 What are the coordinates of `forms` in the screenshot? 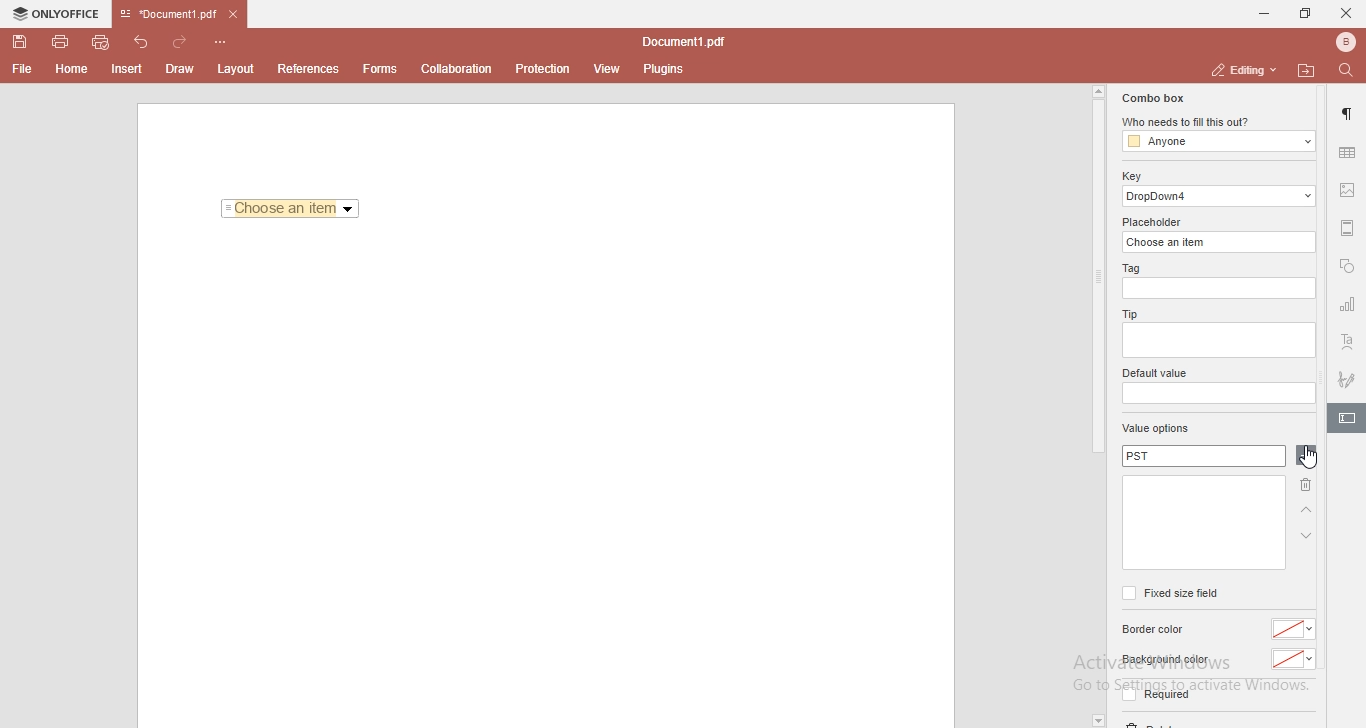 It's located at (380, 69).